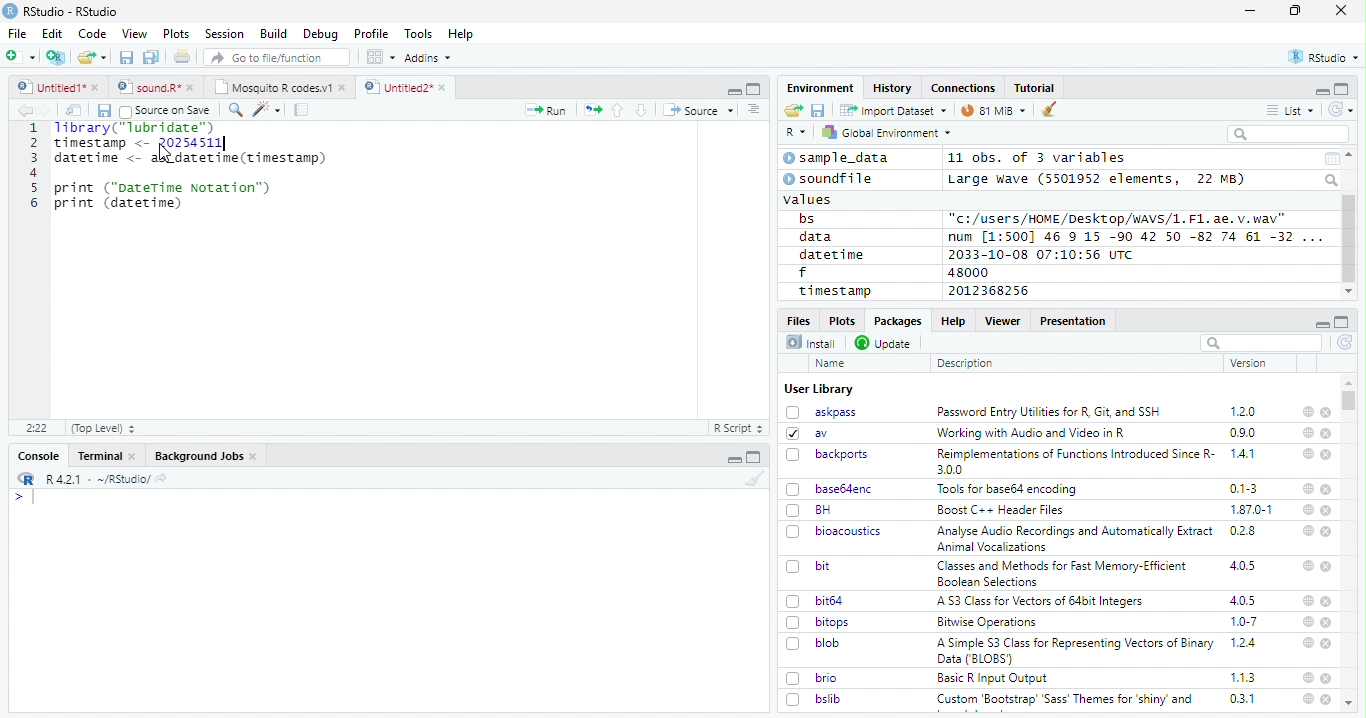  Describe the element at coordinates (428, 58) in the screenshot. I see `Addins` at that location.